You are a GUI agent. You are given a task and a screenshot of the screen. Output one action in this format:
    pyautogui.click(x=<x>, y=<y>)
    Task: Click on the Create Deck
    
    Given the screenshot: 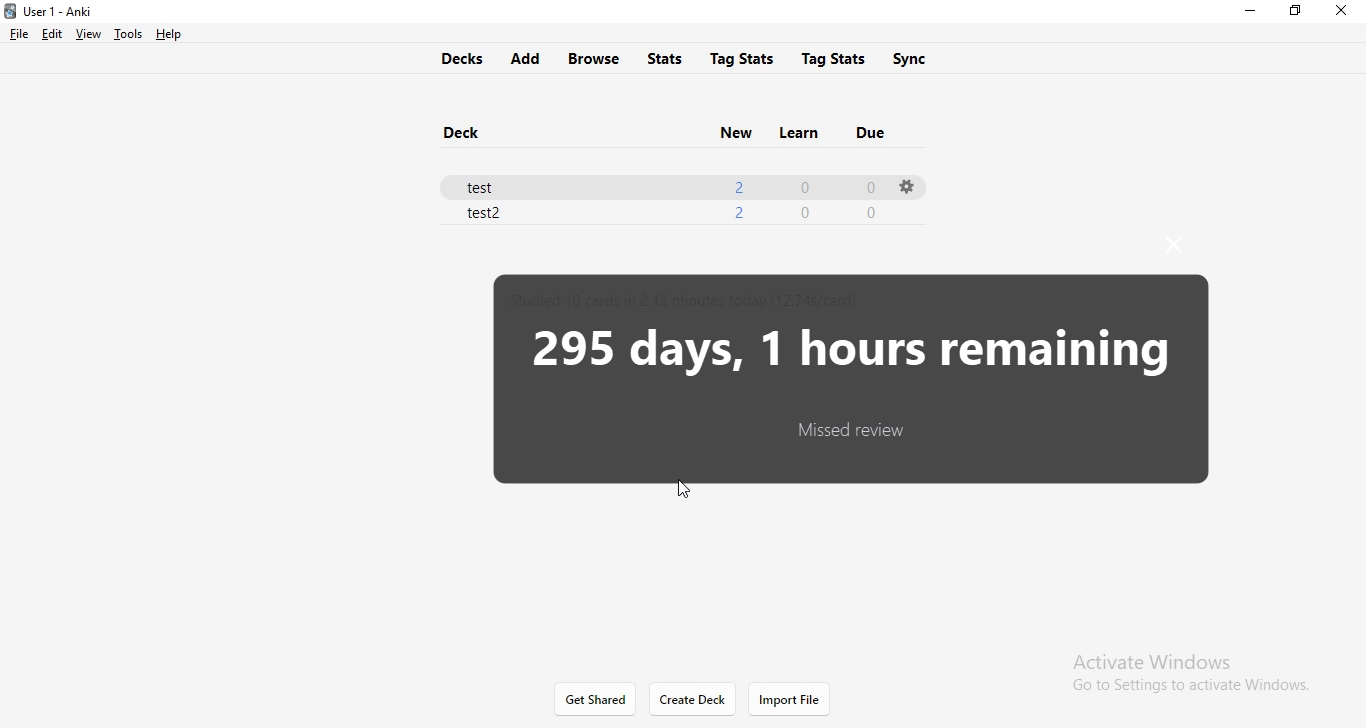 What is the action you would take?
    pyautogui.click(x=691, y=697)
    